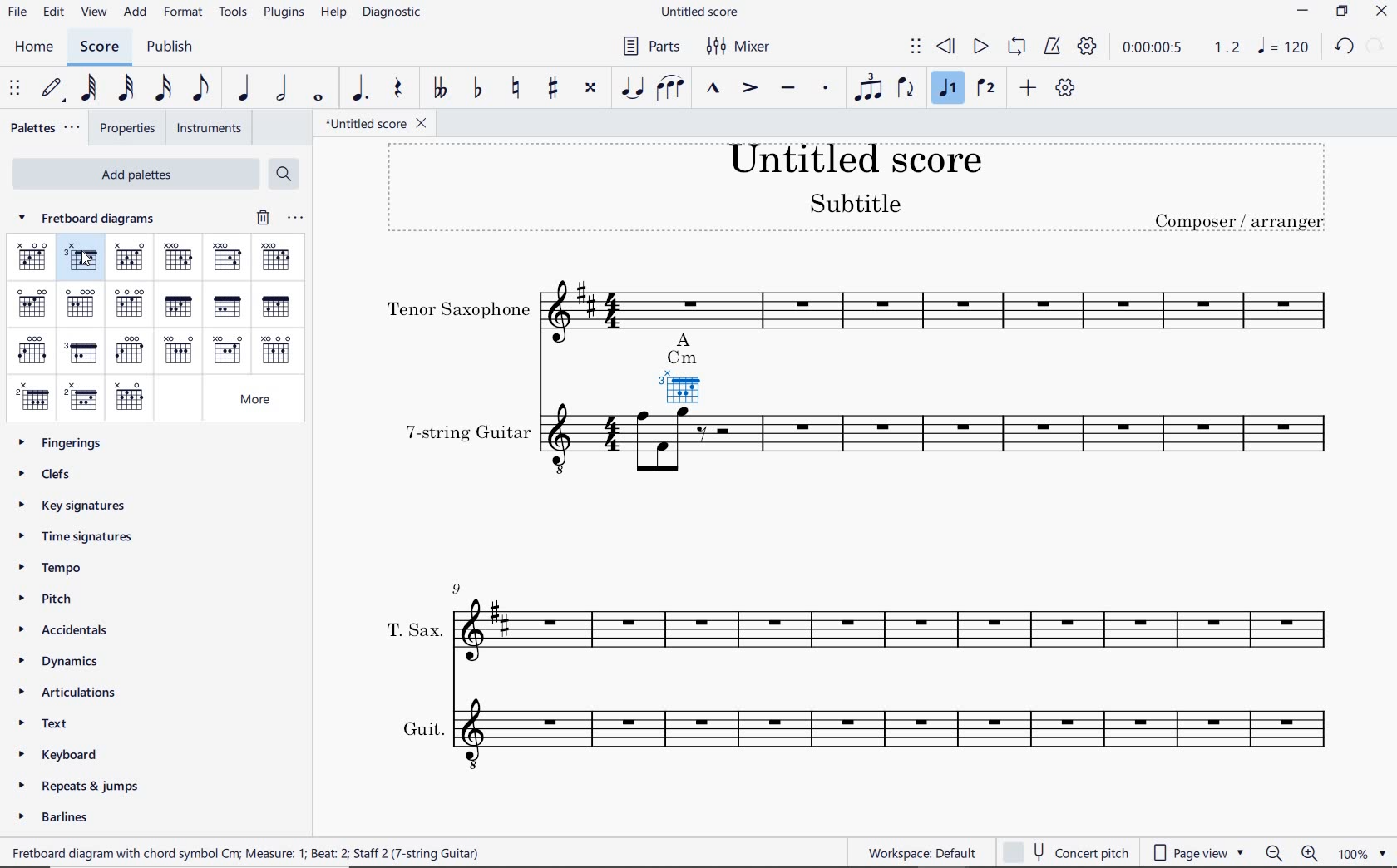 The height and width of the screenshot is (868, 1397). I want to click on CM, so click(81, 260).